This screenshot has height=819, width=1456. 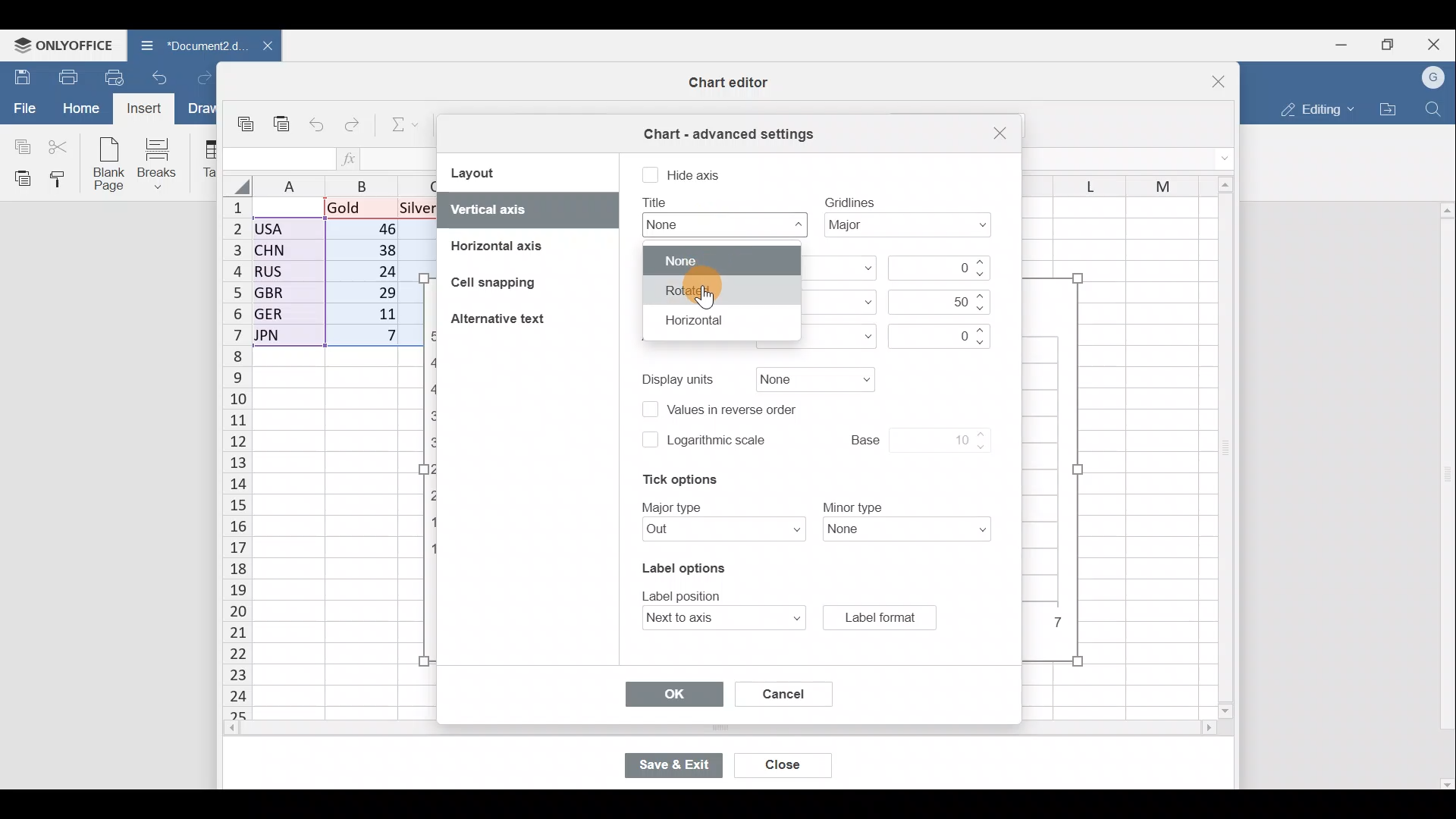 What do you see at coordinates (353, 121) in the screenshot?
I see `Redo` at bounding box center [353, 121].